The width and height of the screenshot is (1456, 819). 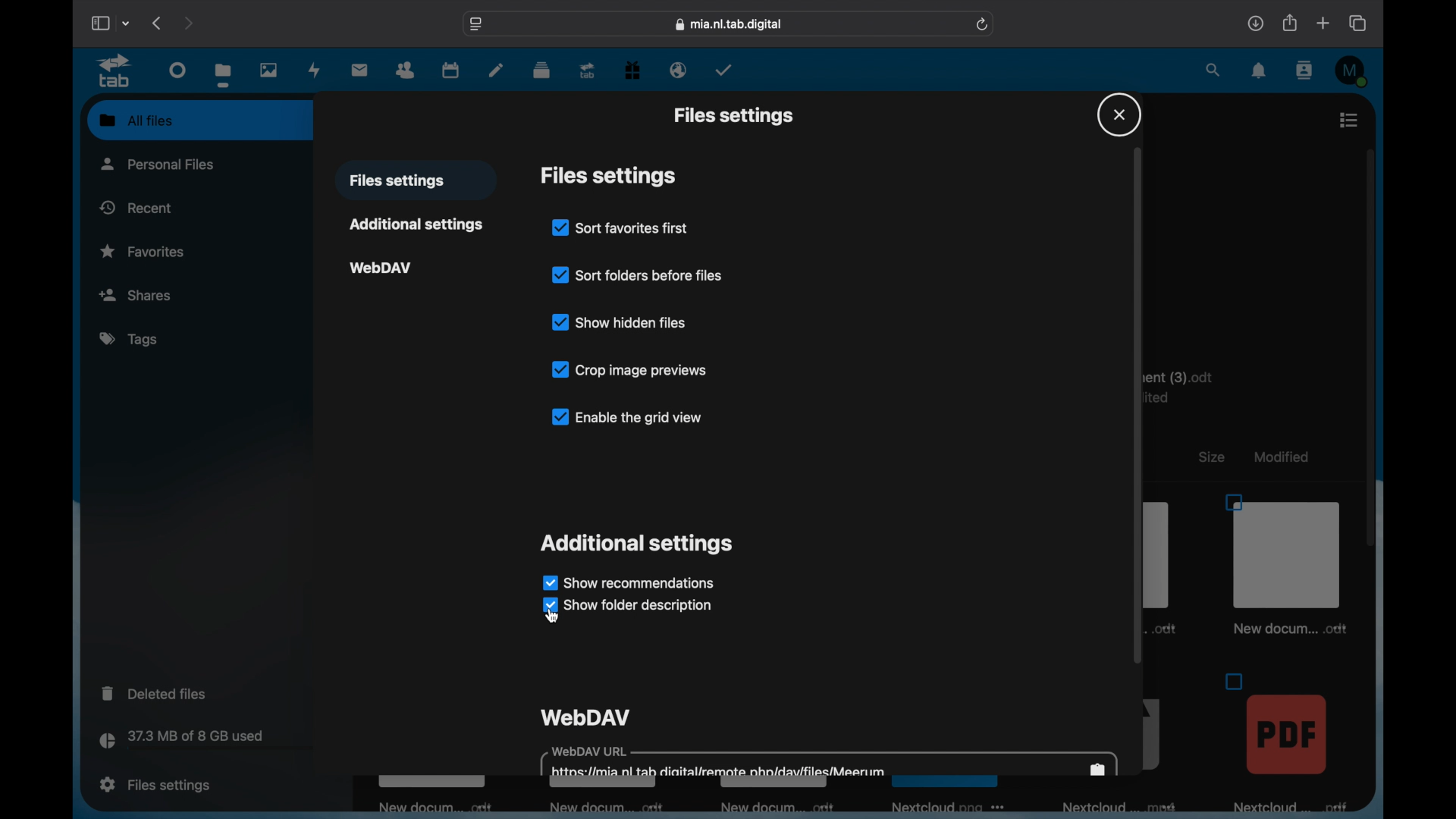 What do you see at coordinates (494, 71) in the screenshot?
I see `notes` at bounding box center [494, 71].